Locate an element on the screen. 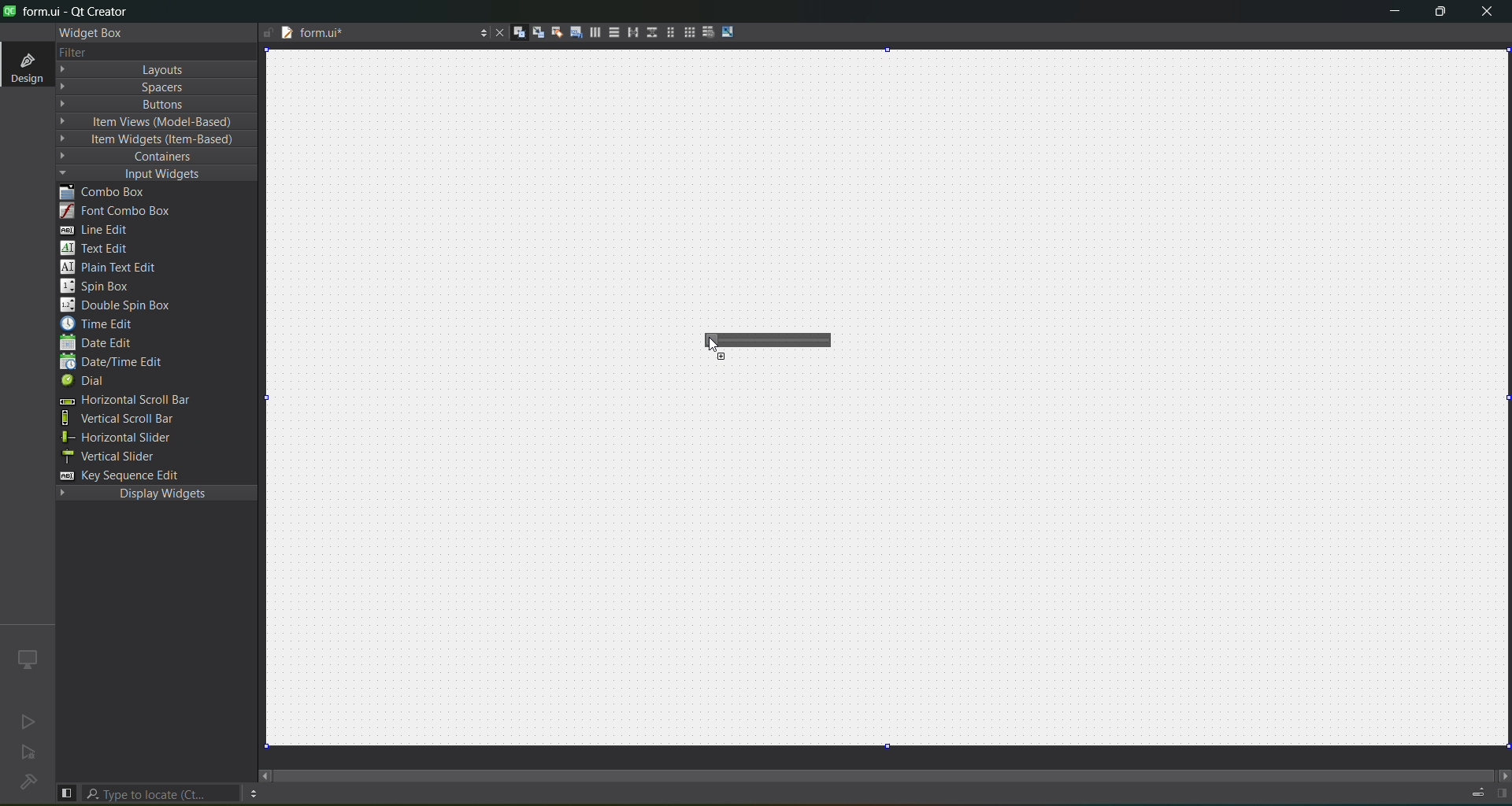 This screenshot has width=1512, height=806. item view is located at coordinates (150, 123).